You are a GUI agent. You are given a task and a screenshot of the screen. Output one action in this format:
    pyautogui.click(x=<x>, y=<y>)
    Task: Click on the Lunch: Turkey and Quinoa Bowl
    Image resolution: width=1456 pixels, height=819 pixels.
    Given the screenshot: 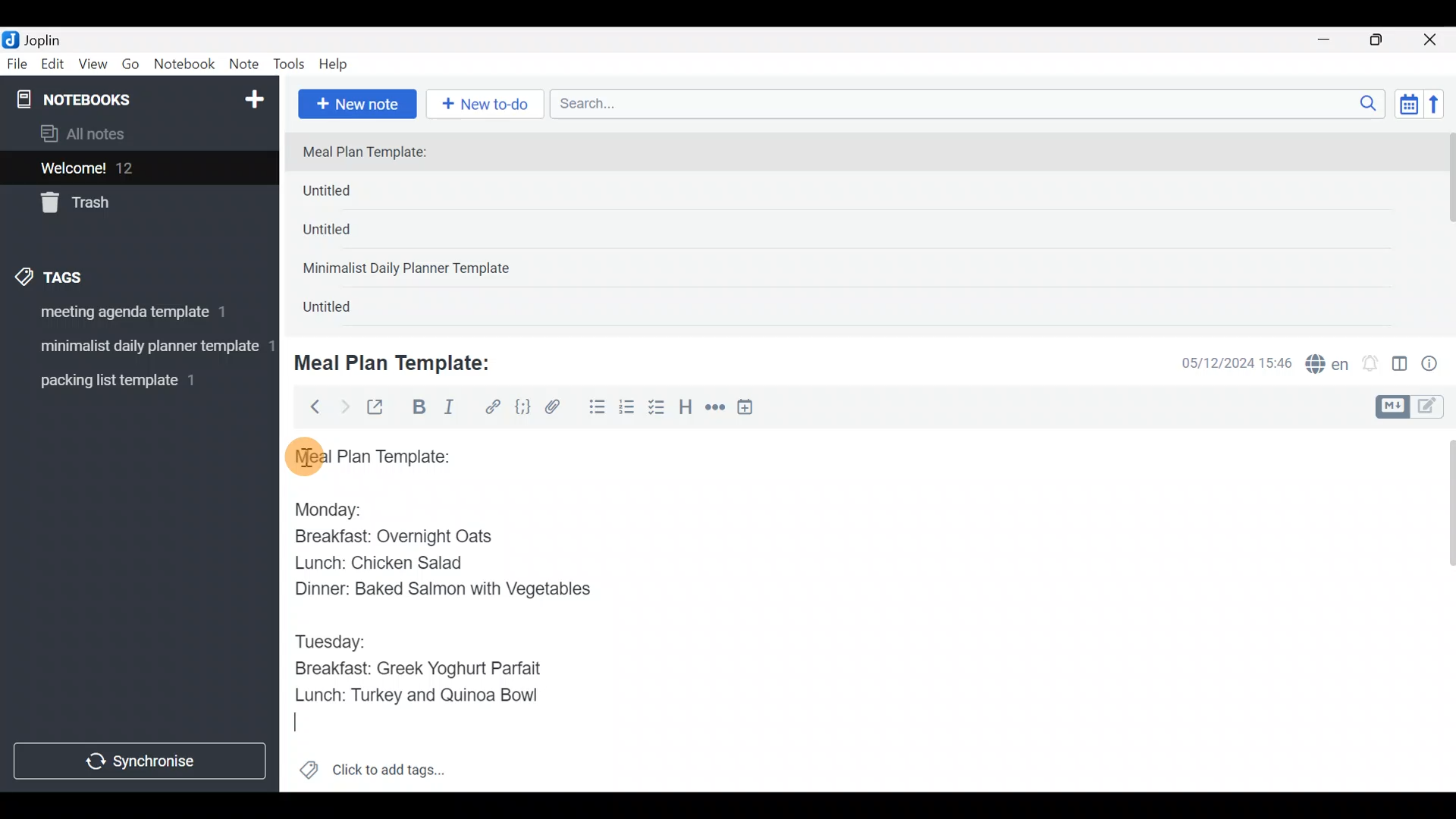 What is the action you would take?
    pyautogui.click(x=422, y=694)
    